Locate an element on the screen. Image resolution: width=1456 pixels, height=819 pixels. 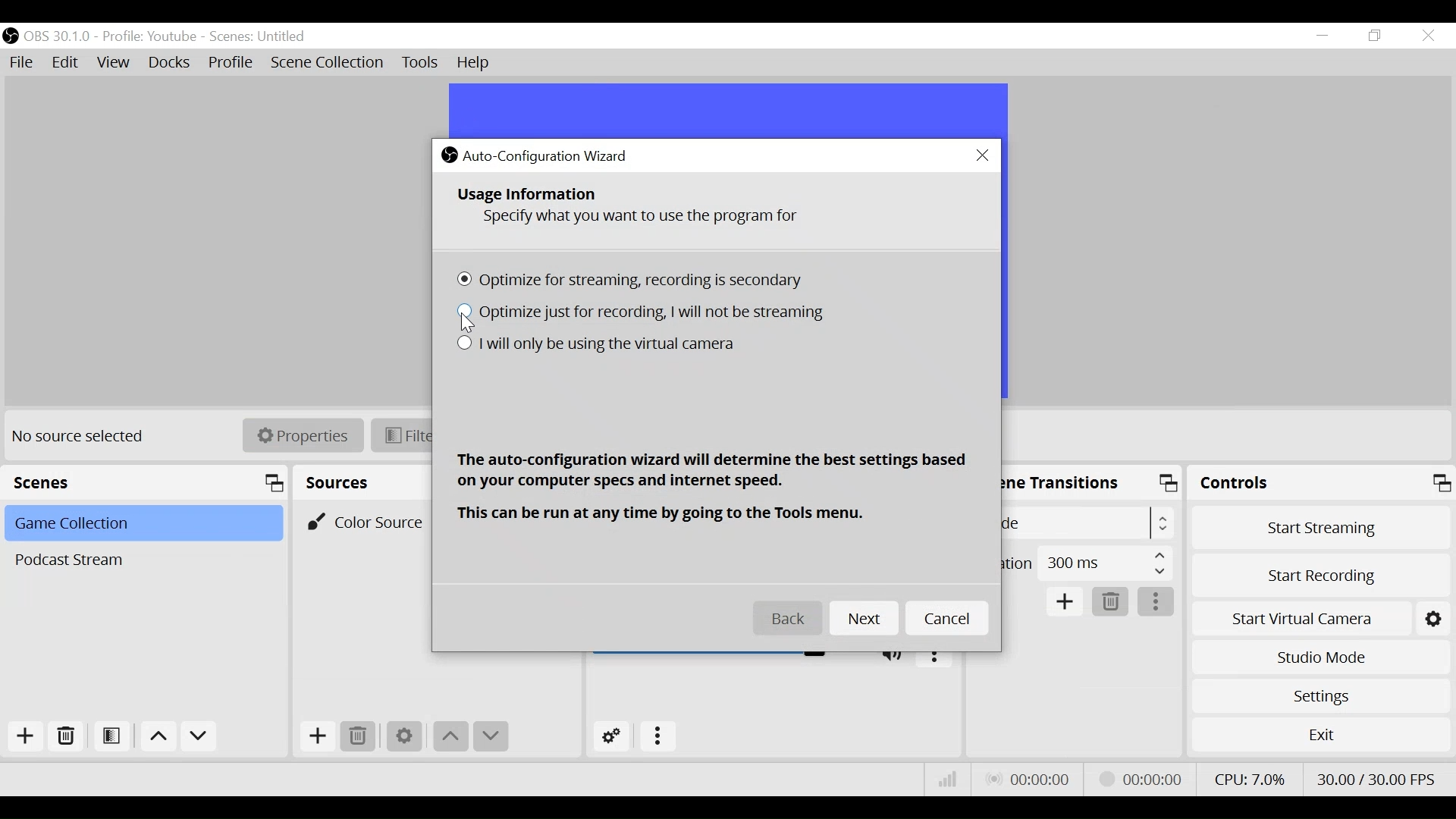
Advanced Audio Settings is located at coordinates (609, 736).